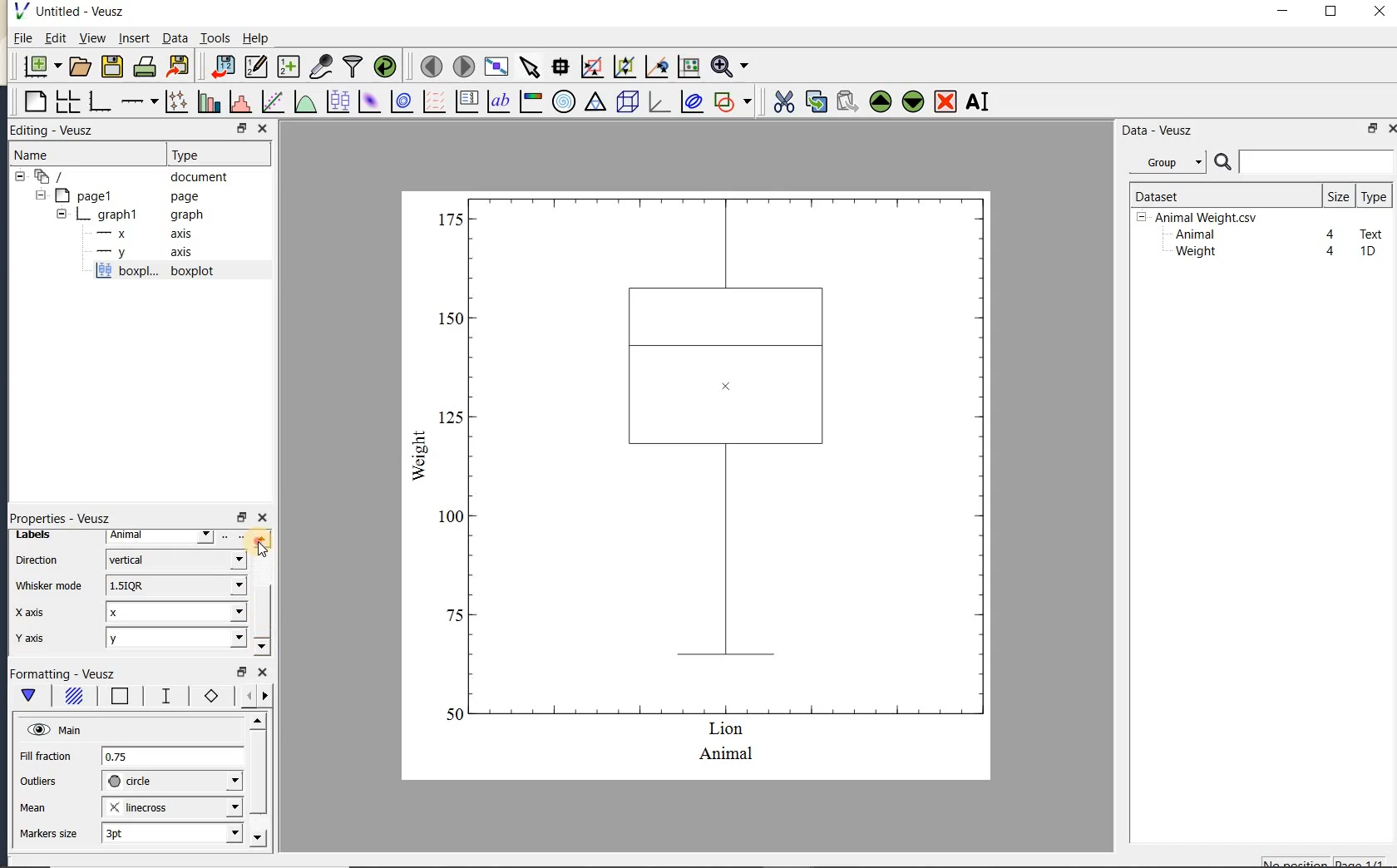  Describe the element at coordinates (729, 67) in the screenshot. I see `zoom function menus` at that location.